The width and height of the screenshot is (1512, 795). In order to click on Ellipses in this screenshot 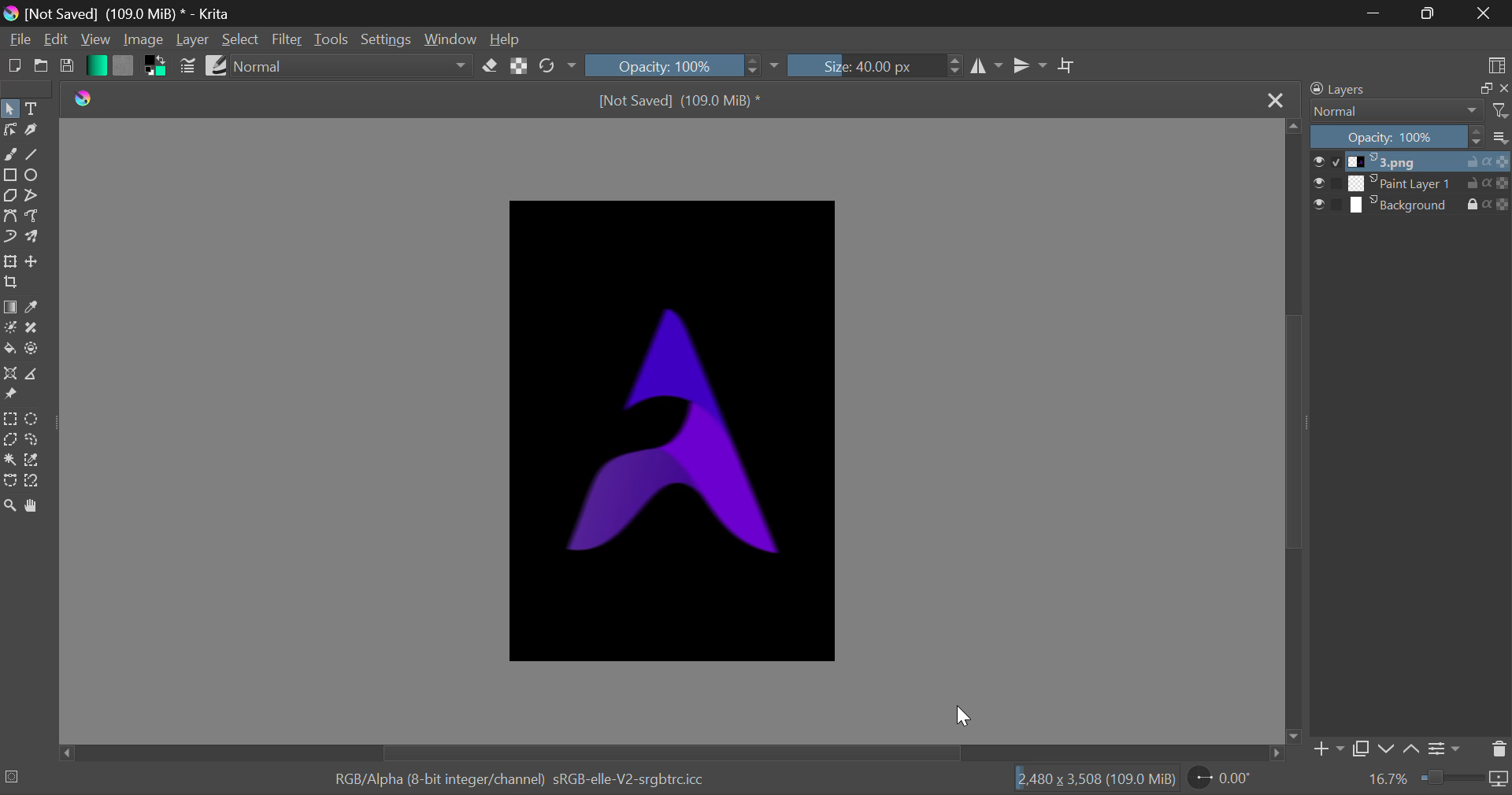, I will do `click(34, 176)`.